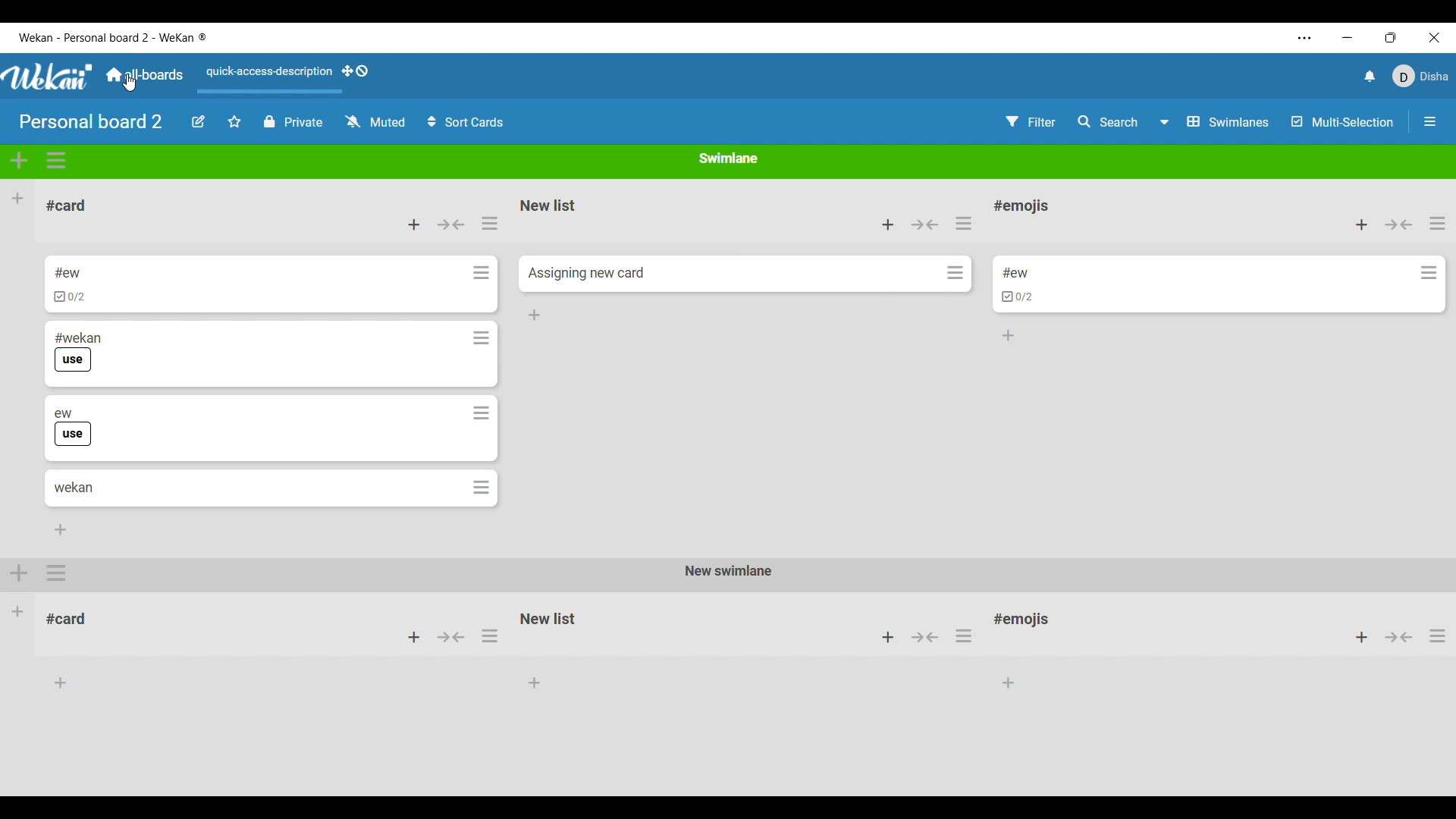 This screenshot has height=819, width=1456. Describe the element at coordinates (1214, 121) in the screenshot. I see `Board view options` at that location.